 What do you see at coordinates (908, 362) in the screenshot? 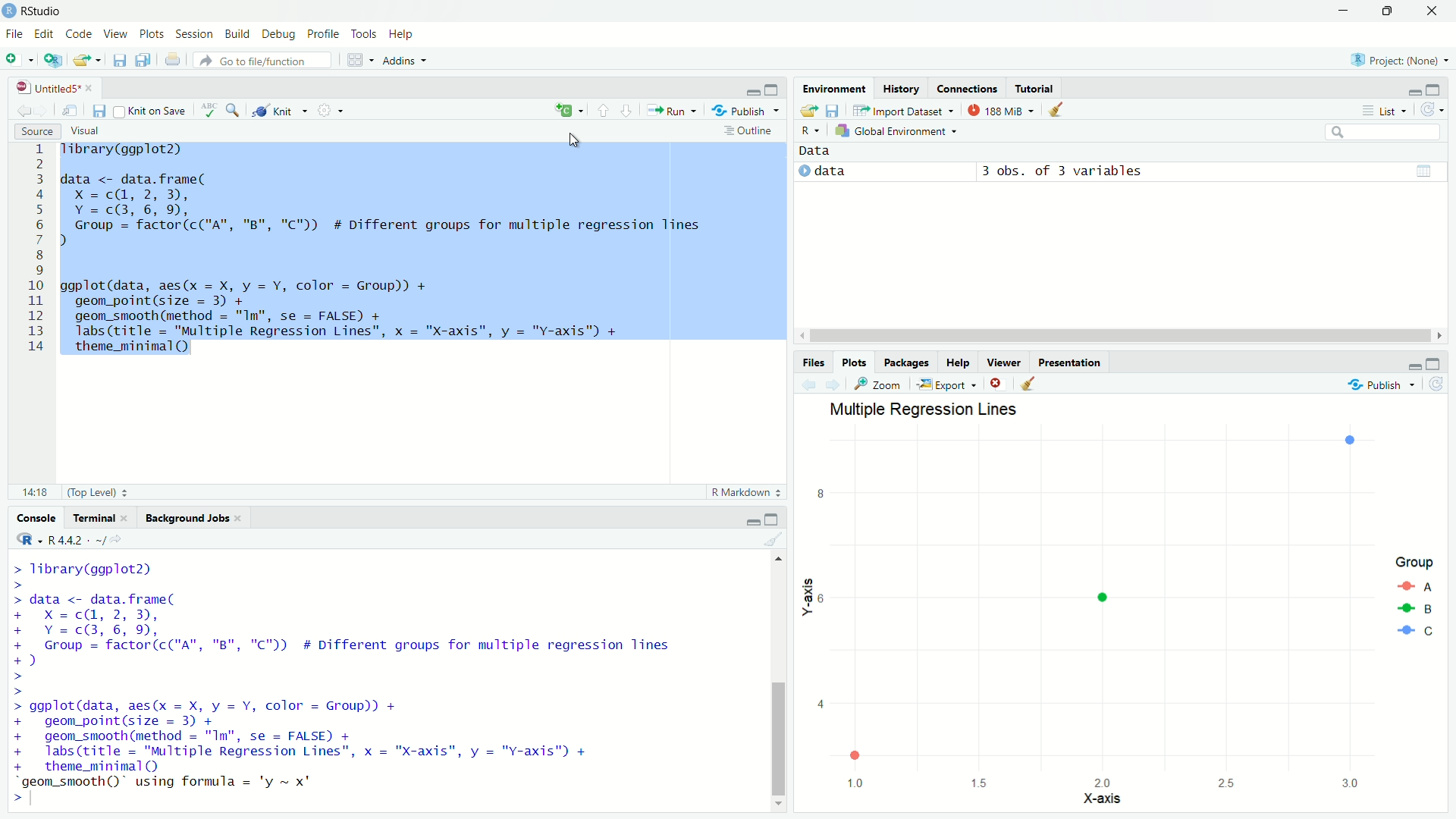
I see `Packages` at bounding box center [908, 362].